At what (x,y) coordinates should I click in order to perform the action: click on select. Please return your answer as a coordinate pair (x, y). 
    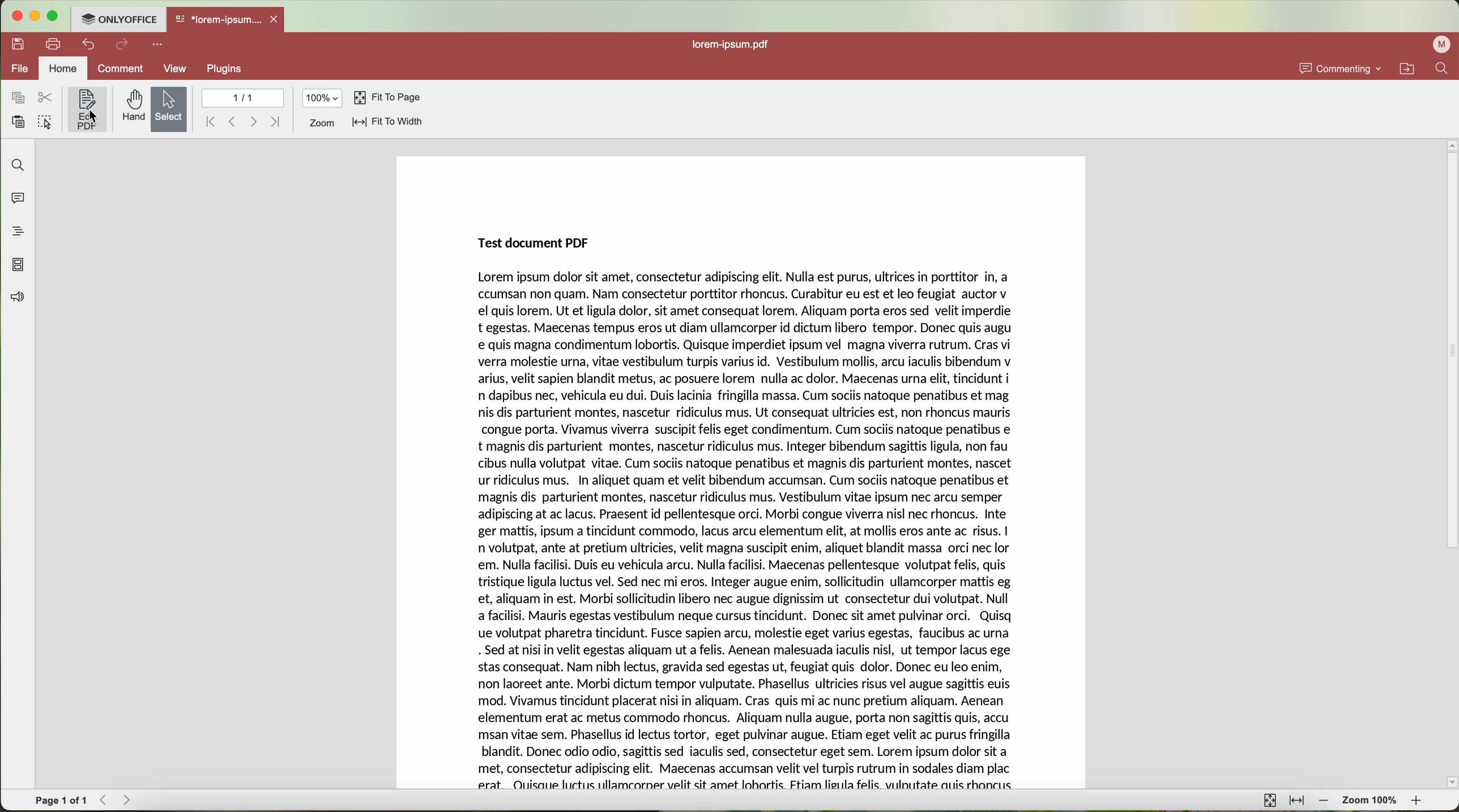
    Looking at the image, I should click on (169, 110).